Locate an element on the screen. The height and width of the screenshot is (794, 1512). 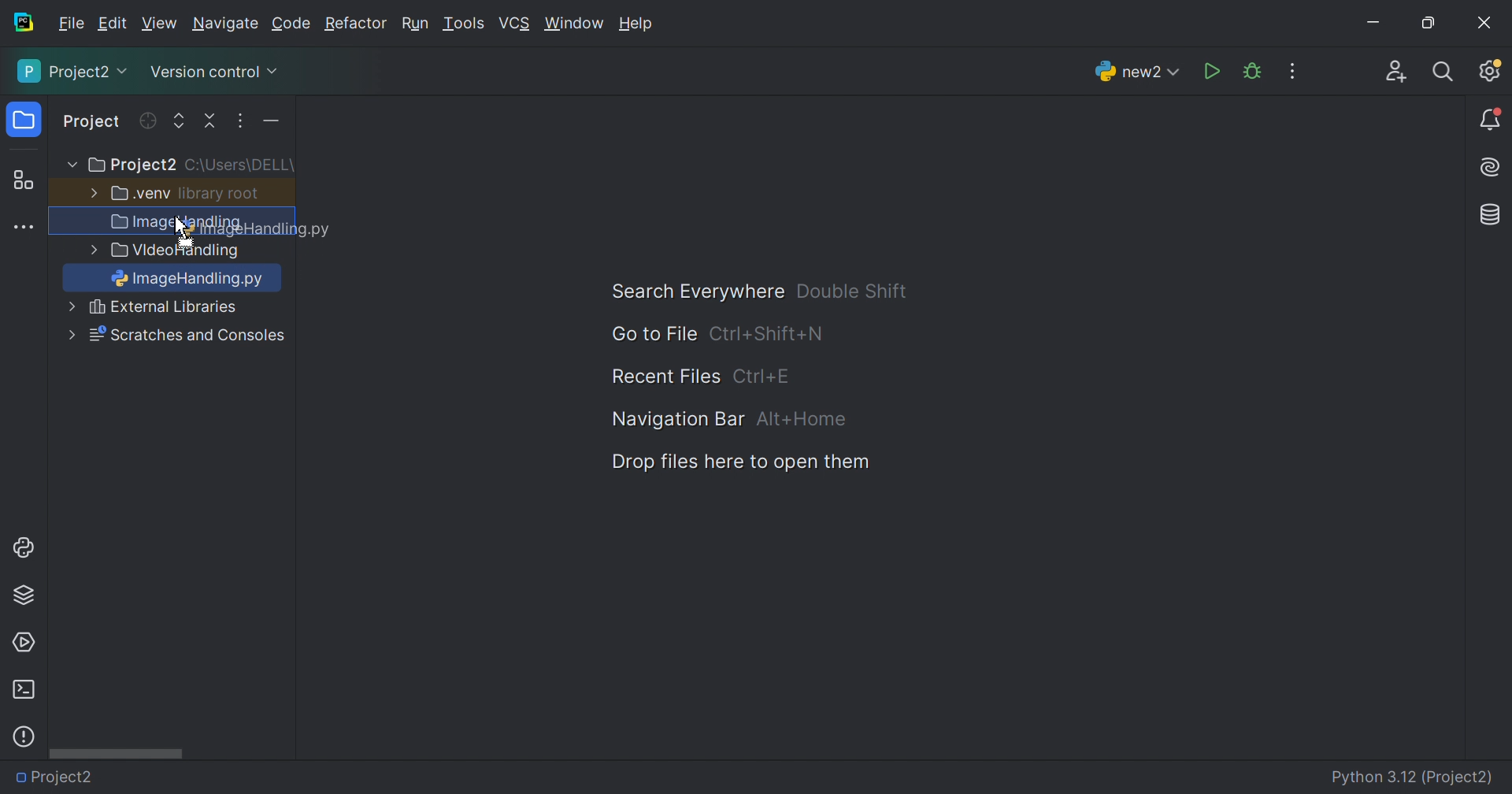
library root is located at coordinates (220, 193).